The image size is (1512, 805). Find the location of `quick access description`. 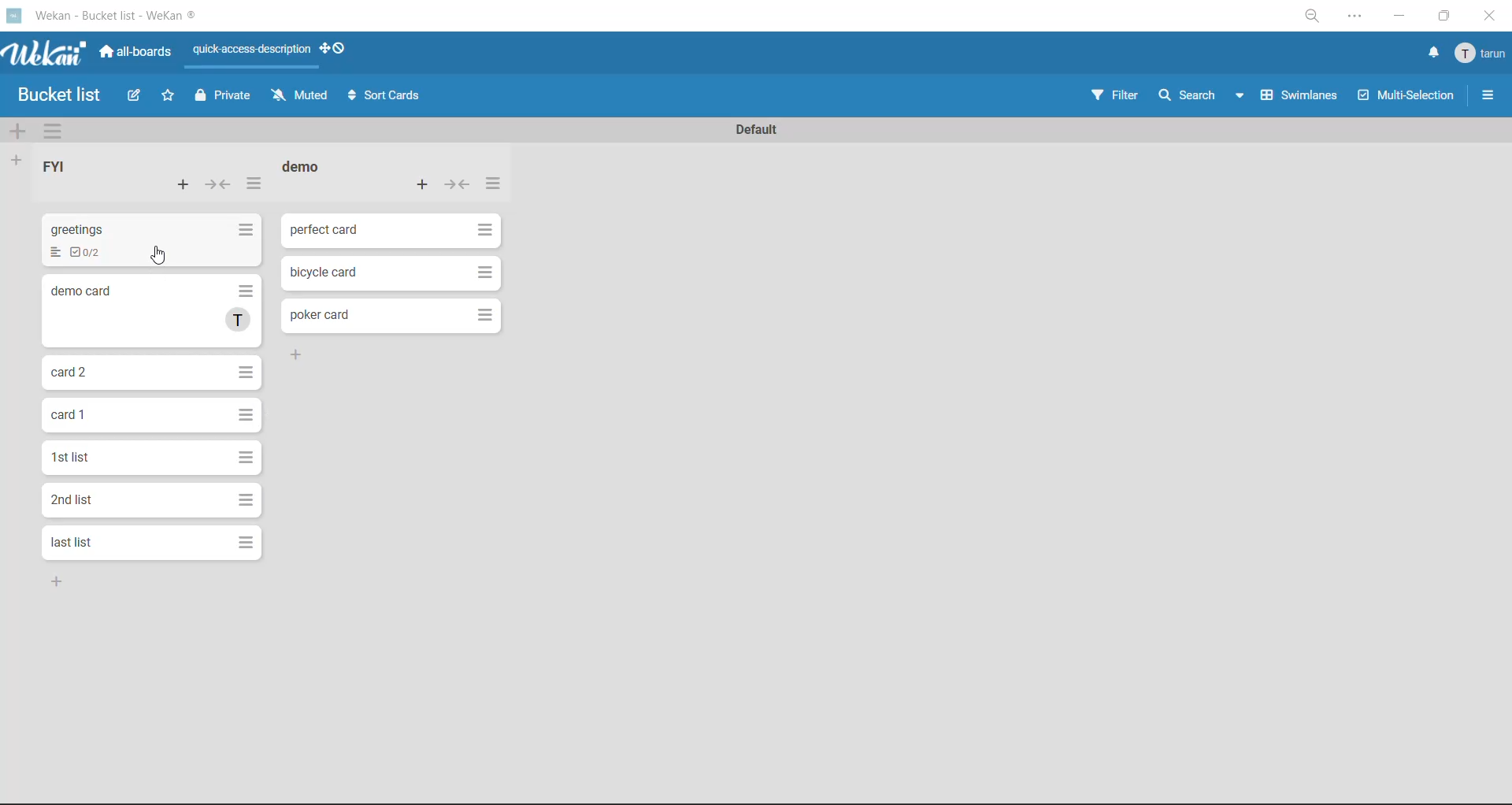

quick access description is located at coordinates (251, 56).